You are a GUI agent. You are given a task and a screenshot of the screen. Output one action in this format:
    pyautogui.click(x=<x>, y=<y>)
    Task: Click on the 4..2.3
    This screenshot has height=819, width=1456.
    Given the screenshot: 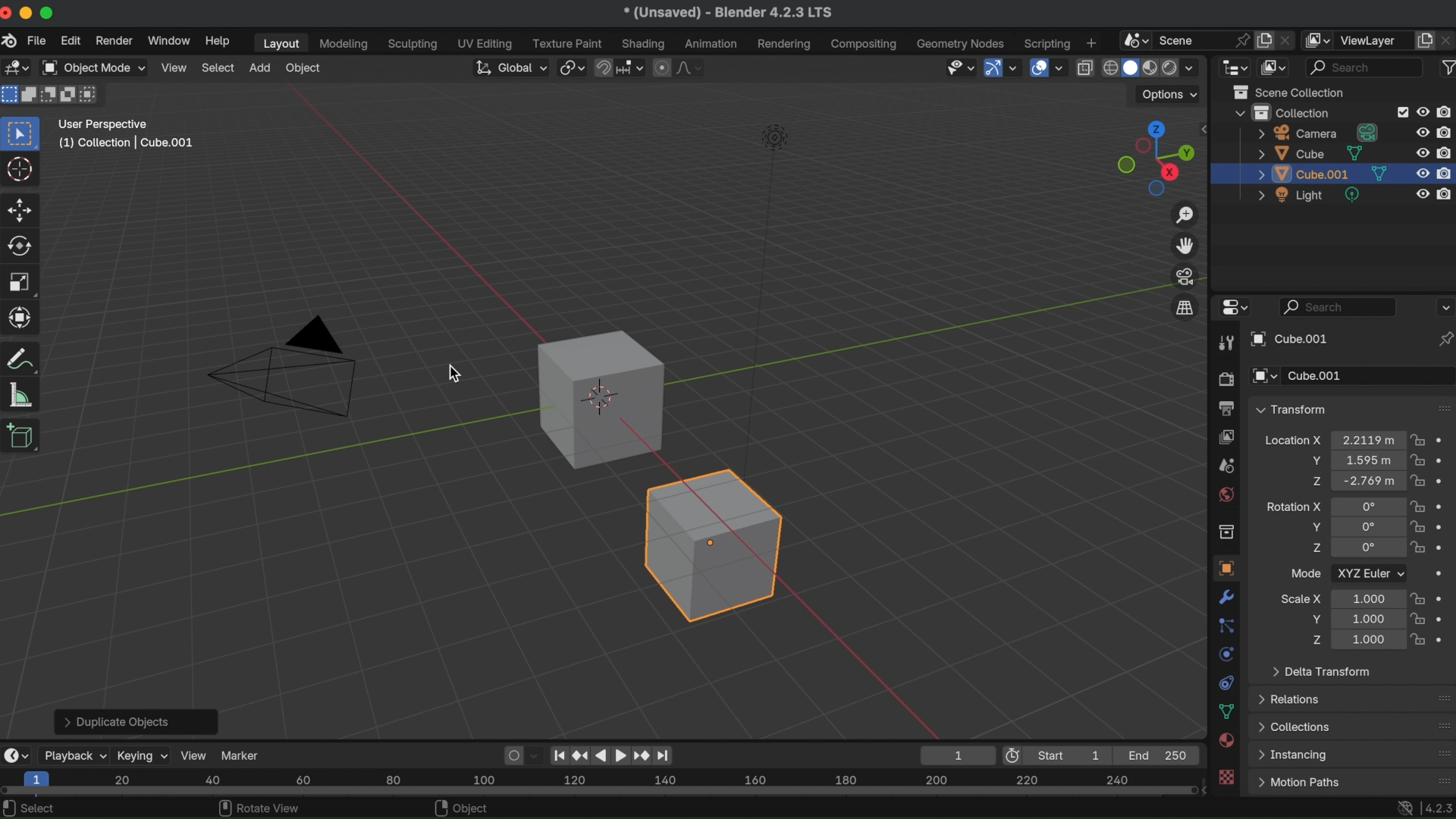 What is the action you would take?
    pyautogui.click(x=1438, y=808)
    